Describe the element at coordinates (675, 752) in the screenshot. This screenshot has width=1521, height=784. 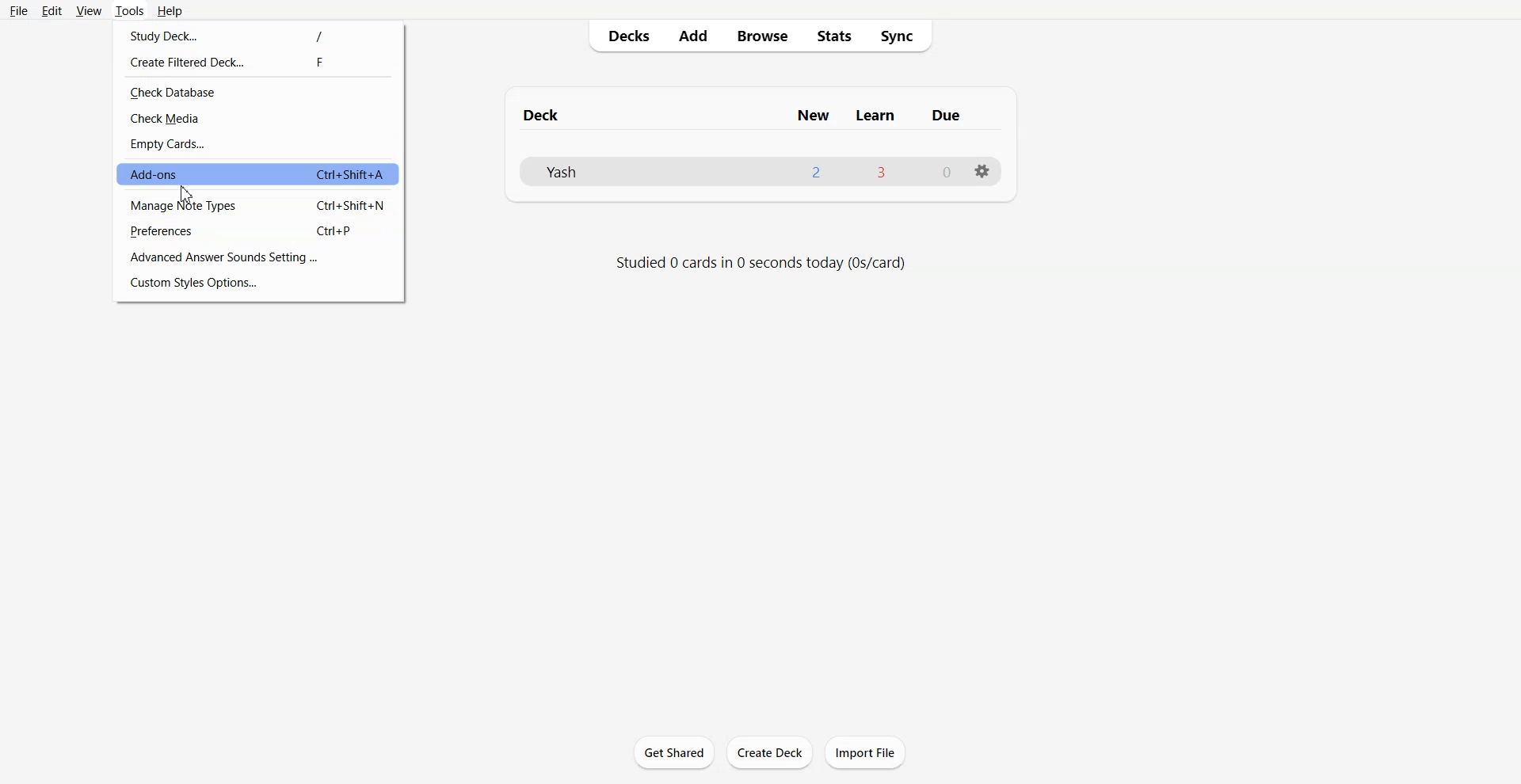
I see `Get Shared` at that location.